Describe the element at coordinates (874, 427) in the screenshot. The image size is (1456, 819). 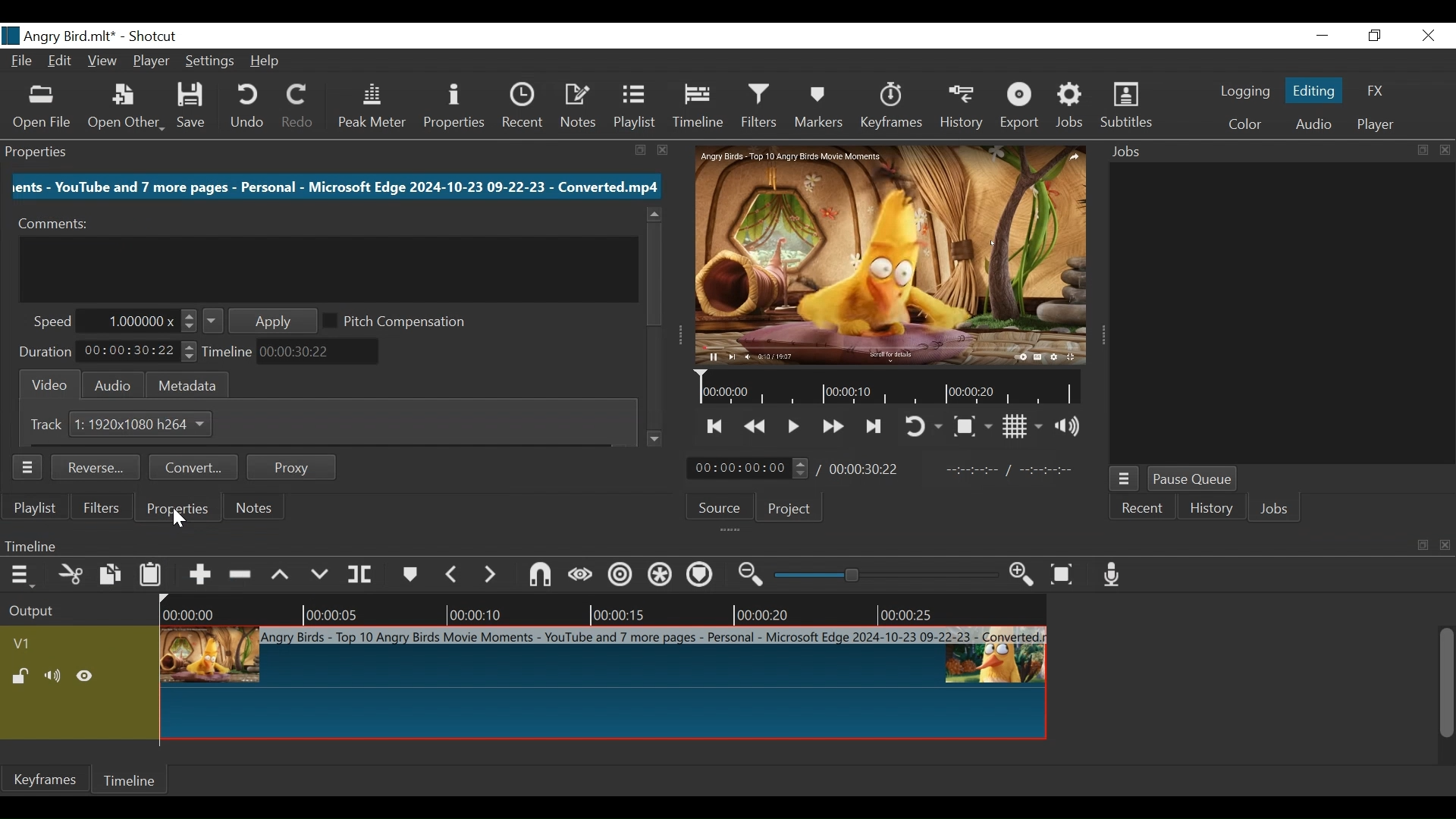
I see `Skip to the next point` at that location.